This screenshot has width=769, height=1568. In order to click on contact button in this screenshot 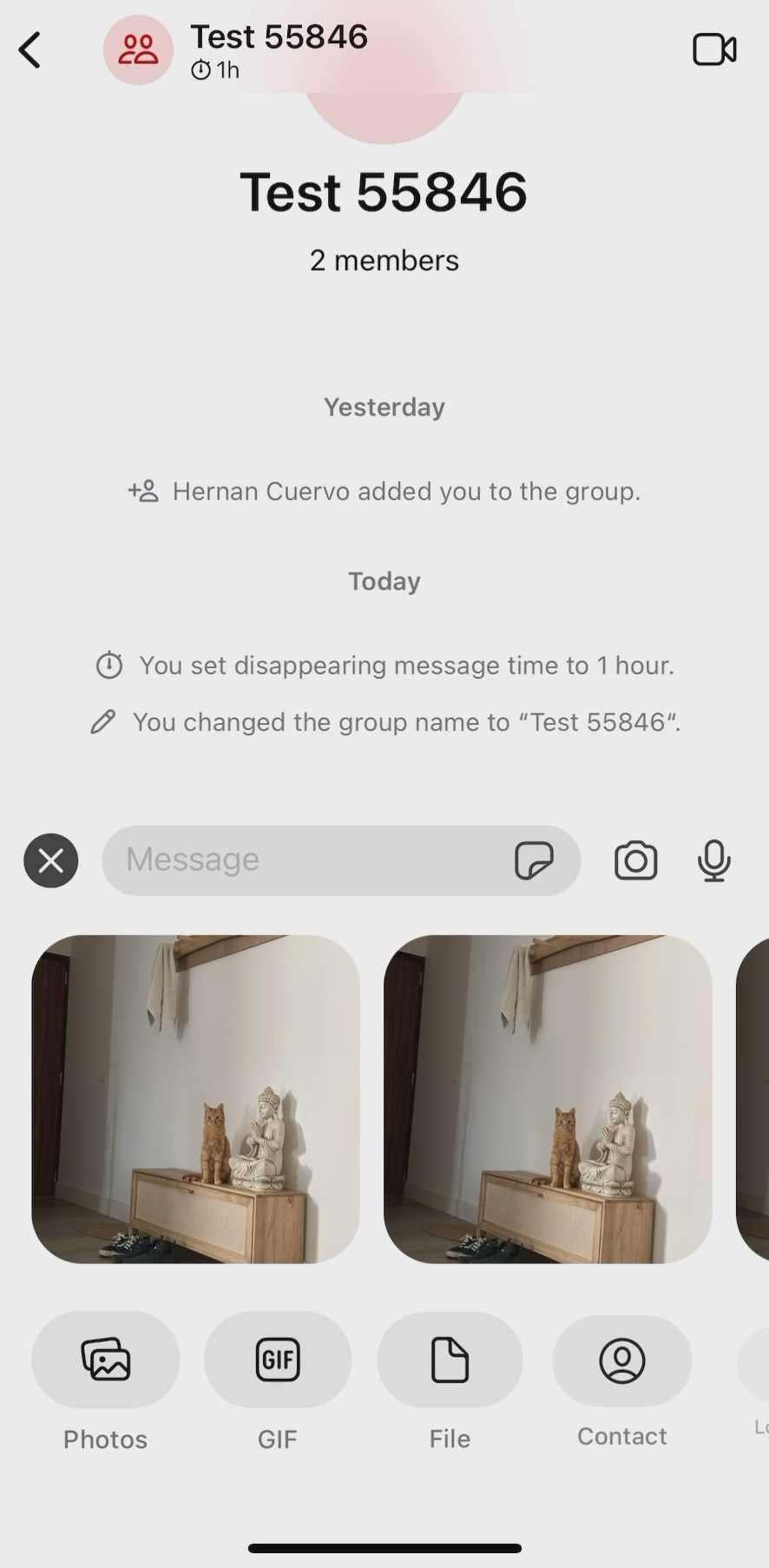, I will do `click(623, 1382)`.